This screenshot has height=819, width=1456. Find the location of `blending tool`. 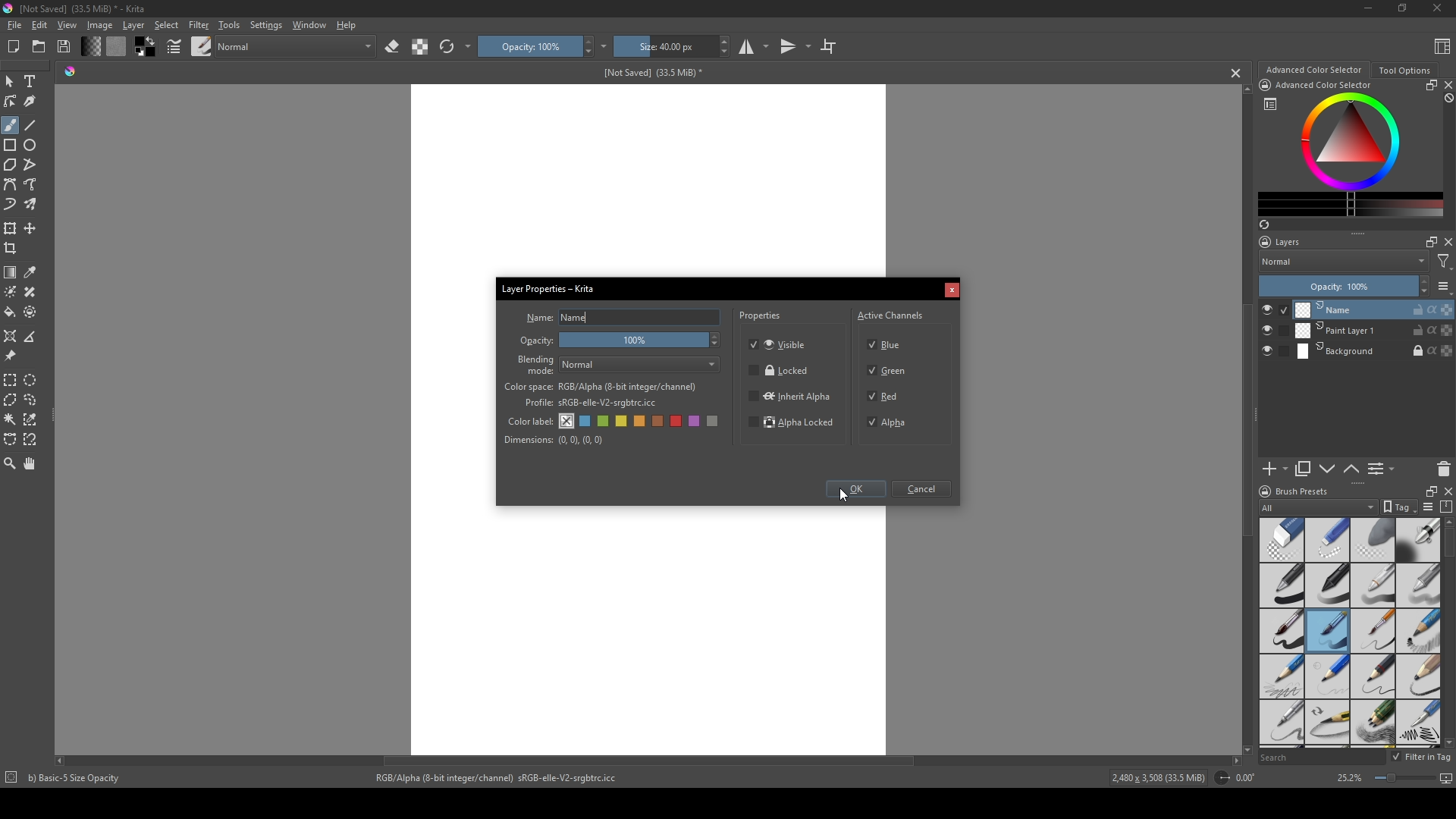

blending tool is located at coordinates (1418, 539).